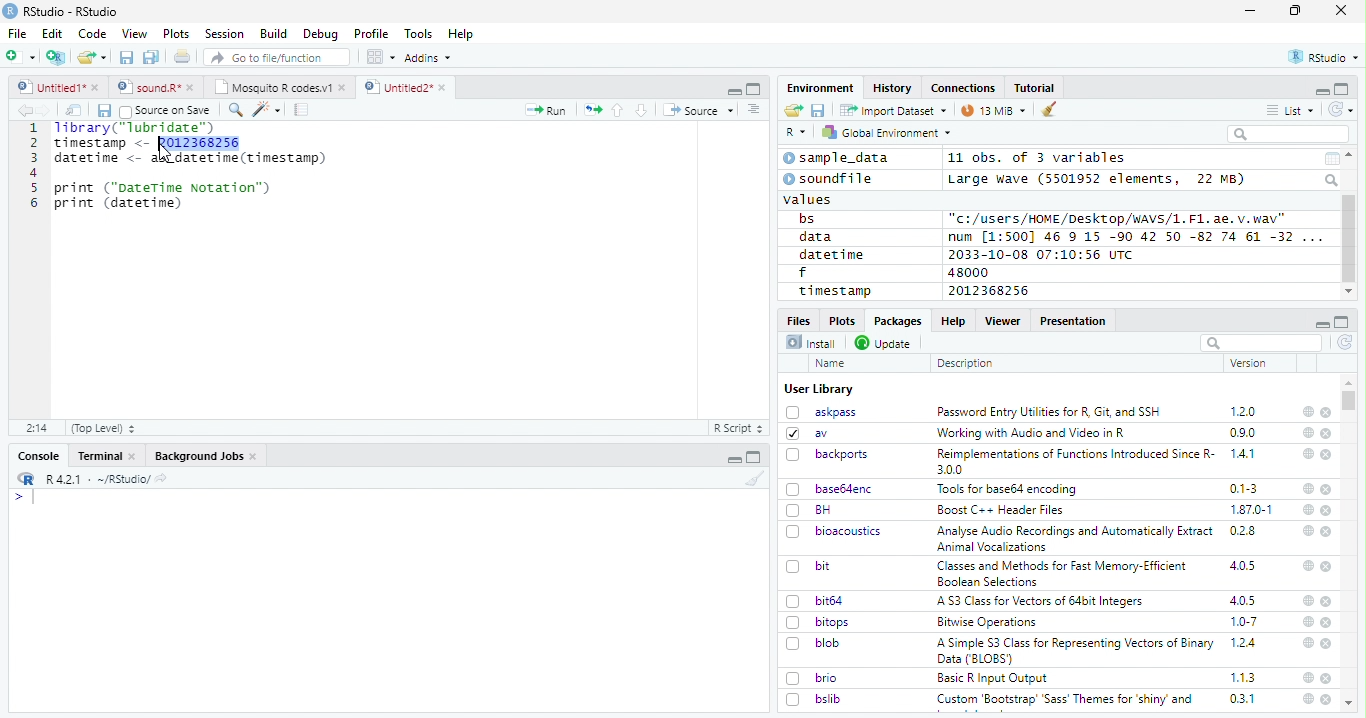  I want to click on num [1:500] 46 9 15 -90 42 50 -82 74 61 -32 ..., so click(1135, 236).